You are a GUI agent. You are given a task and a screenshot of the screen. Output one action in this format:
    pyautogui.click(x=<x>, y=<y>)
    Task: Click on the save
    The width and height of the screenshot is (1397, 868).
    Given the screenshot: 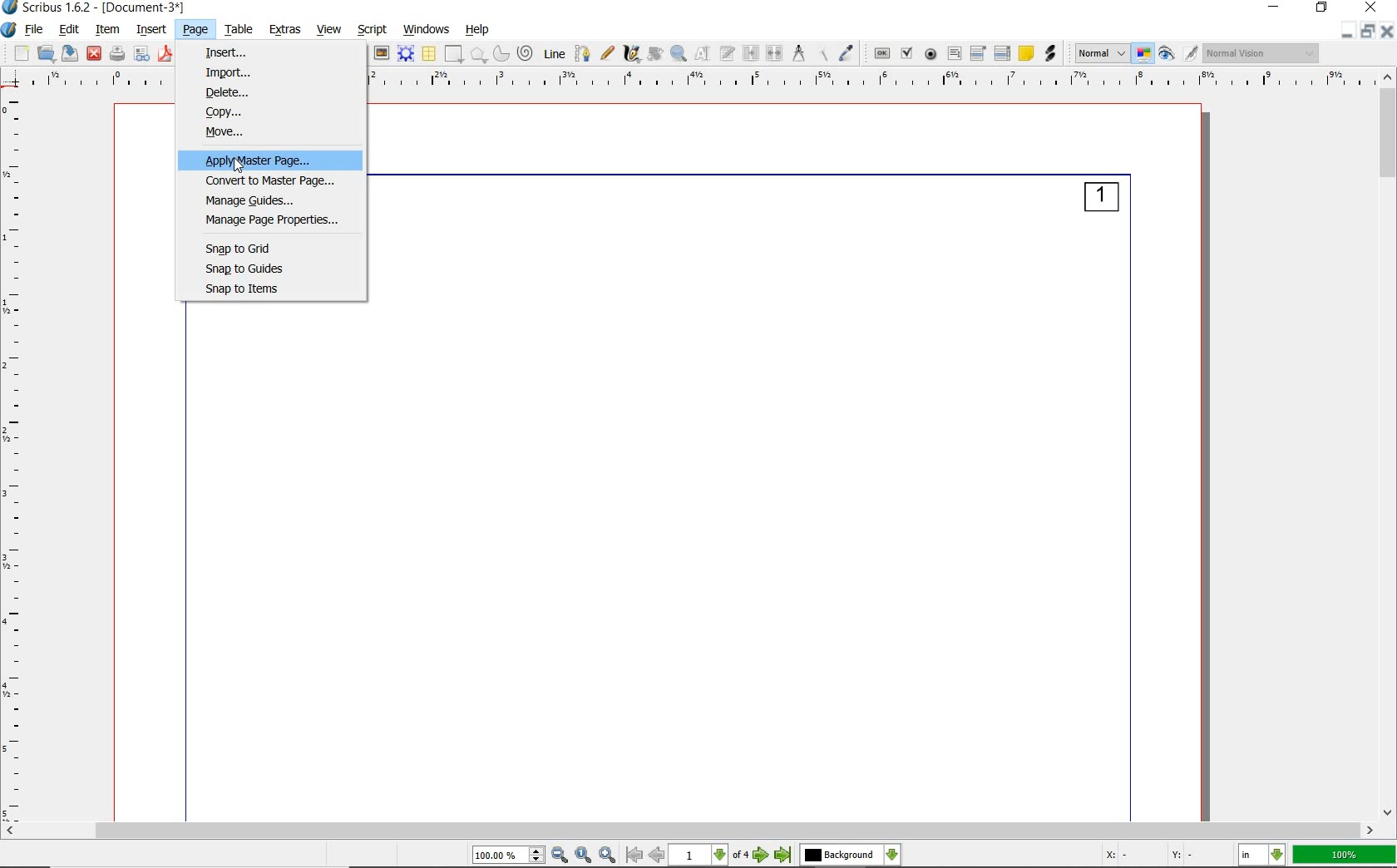 What is the action you would take?
    pyautogui.click(x=68, y=53)
    